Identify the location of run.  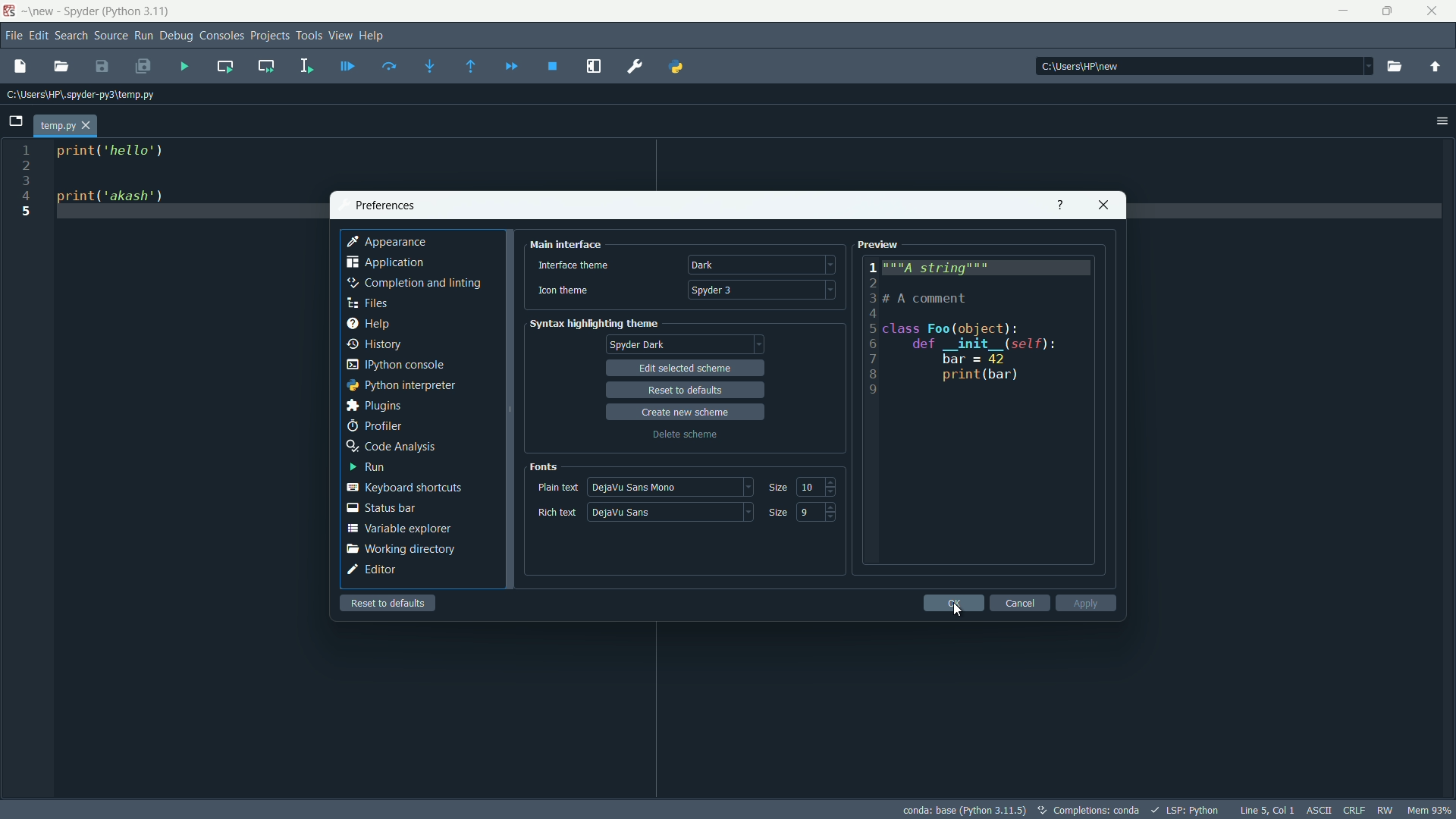
(367, 468).